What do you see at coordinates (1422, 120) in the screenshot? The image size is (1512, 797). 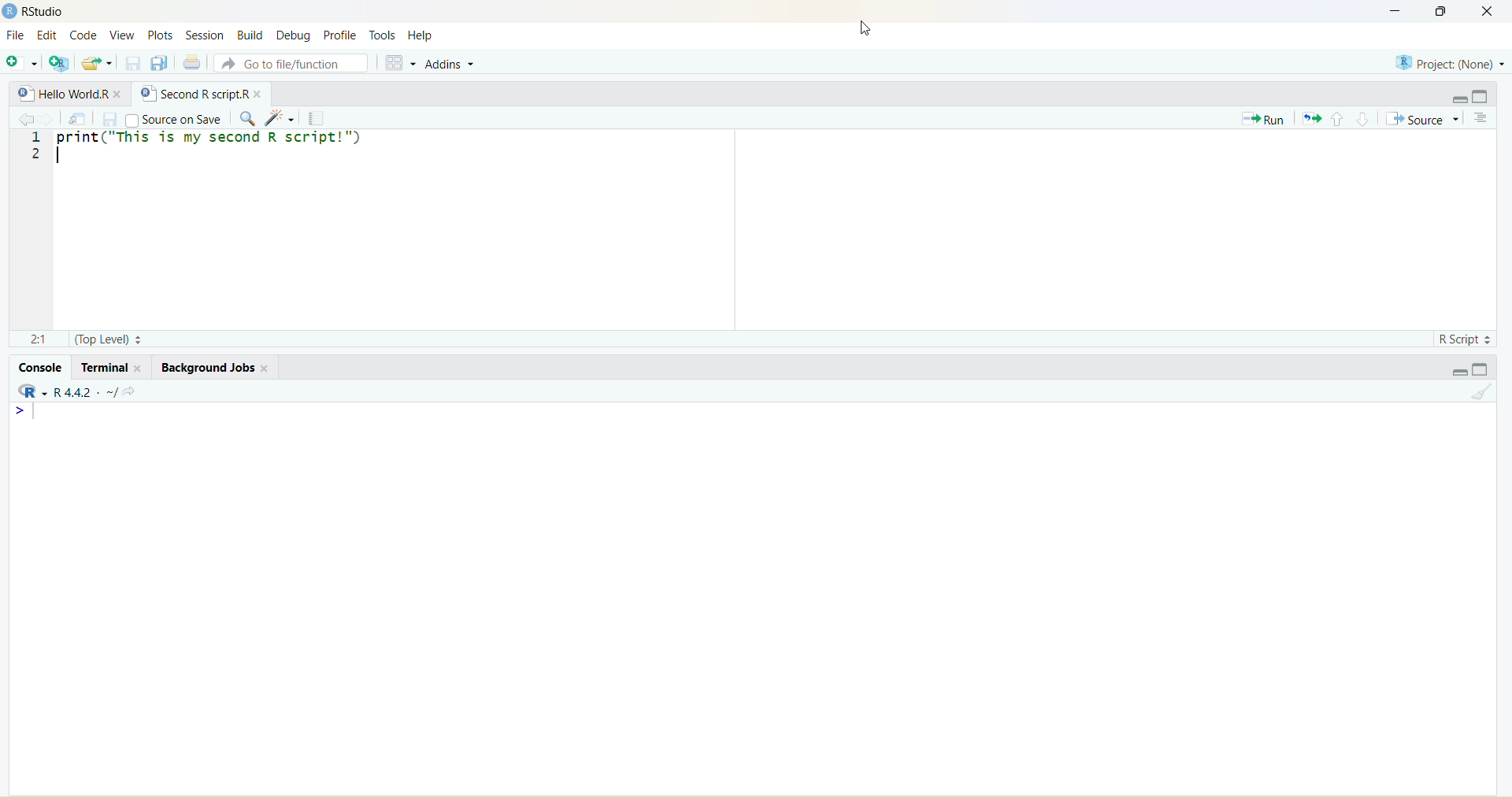 I see `Source the contents of the active document` at bounding box center [1422, 120].